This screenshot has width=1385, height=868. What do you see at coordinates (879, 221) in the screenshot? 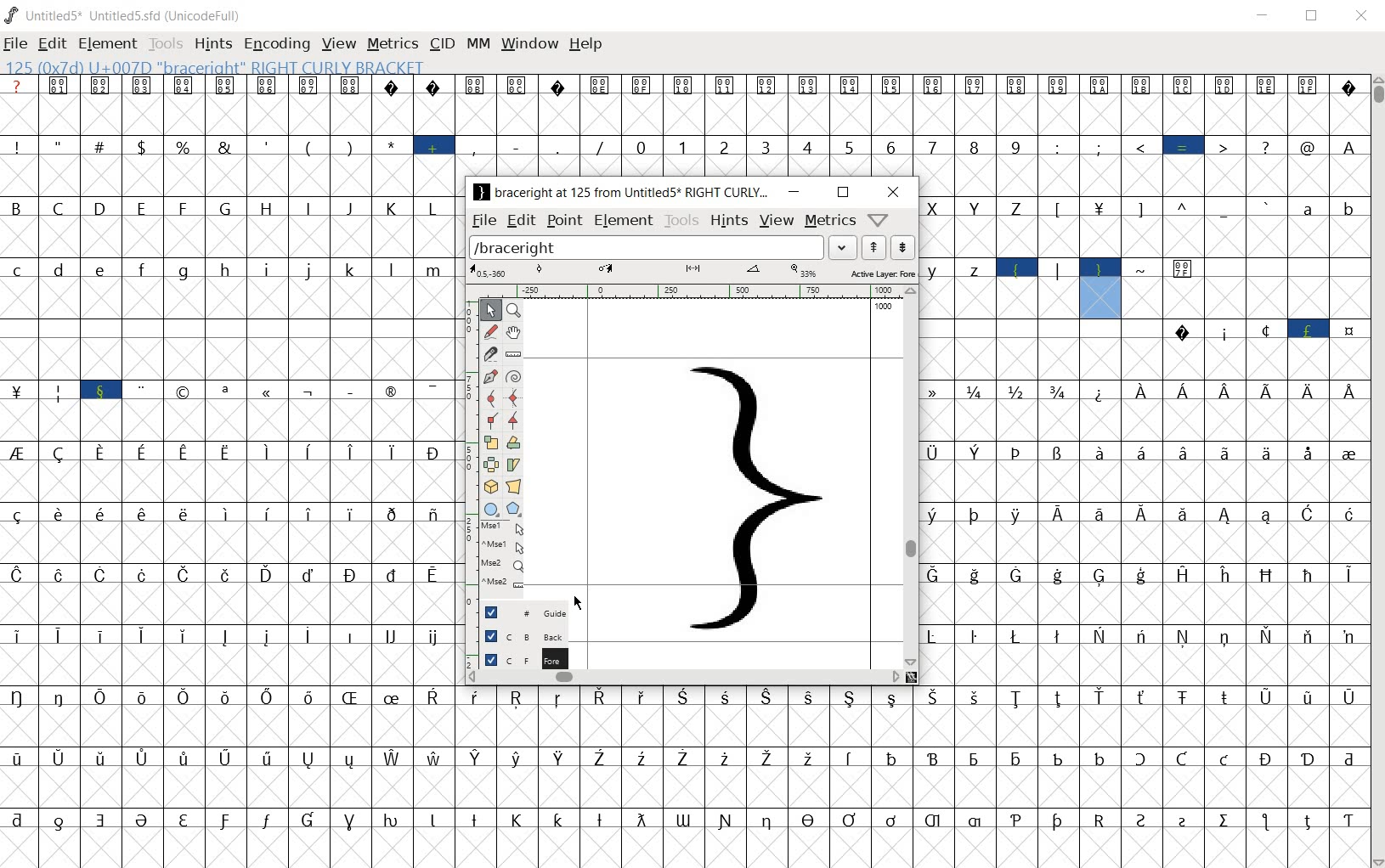
I see `Help/Window` at bounding box center [879, 221].